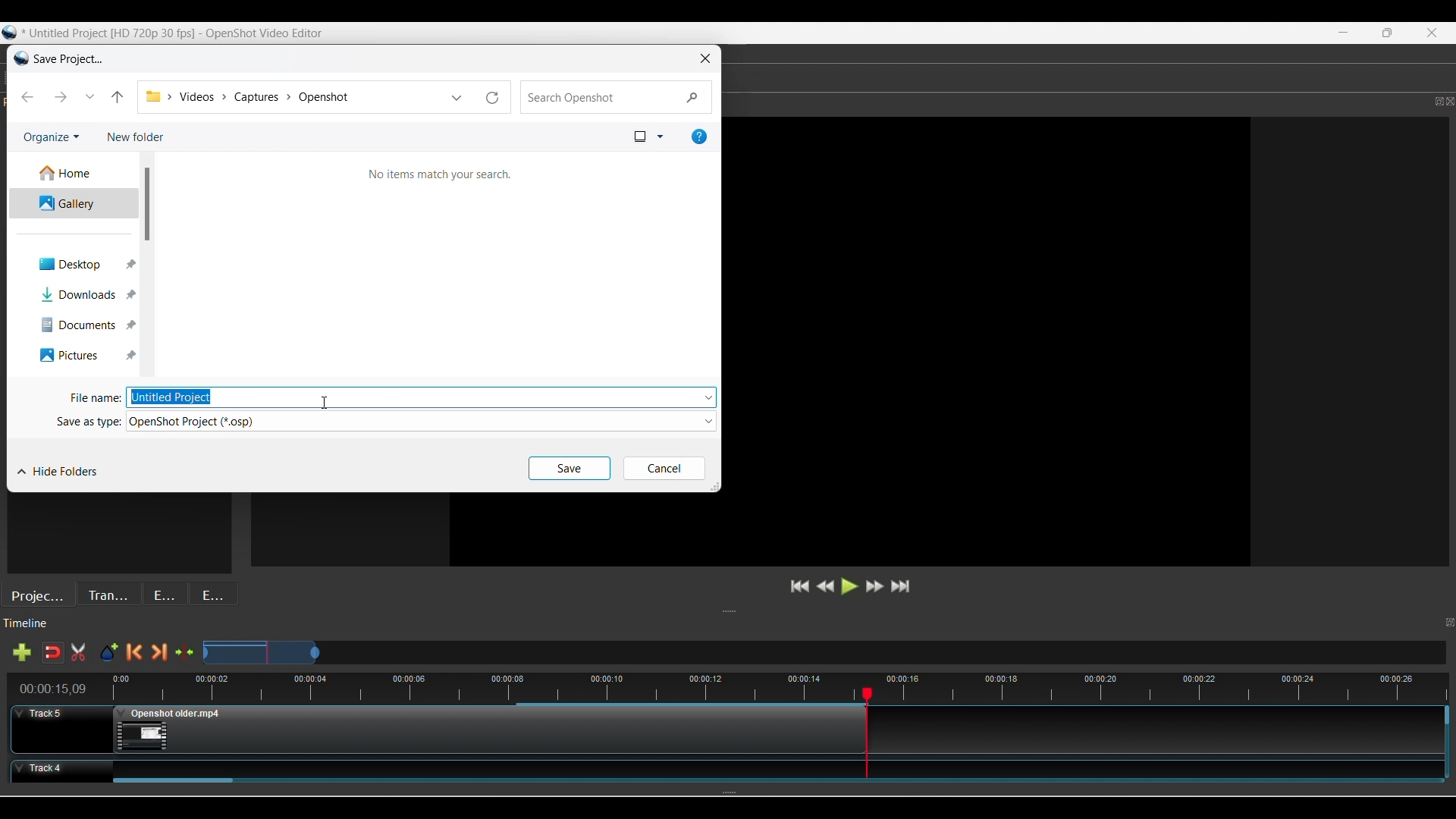 The image size is (1456, 819). Describe the element at coordinates (18, 59) in the screenshot. I see `Software logo` at that location.